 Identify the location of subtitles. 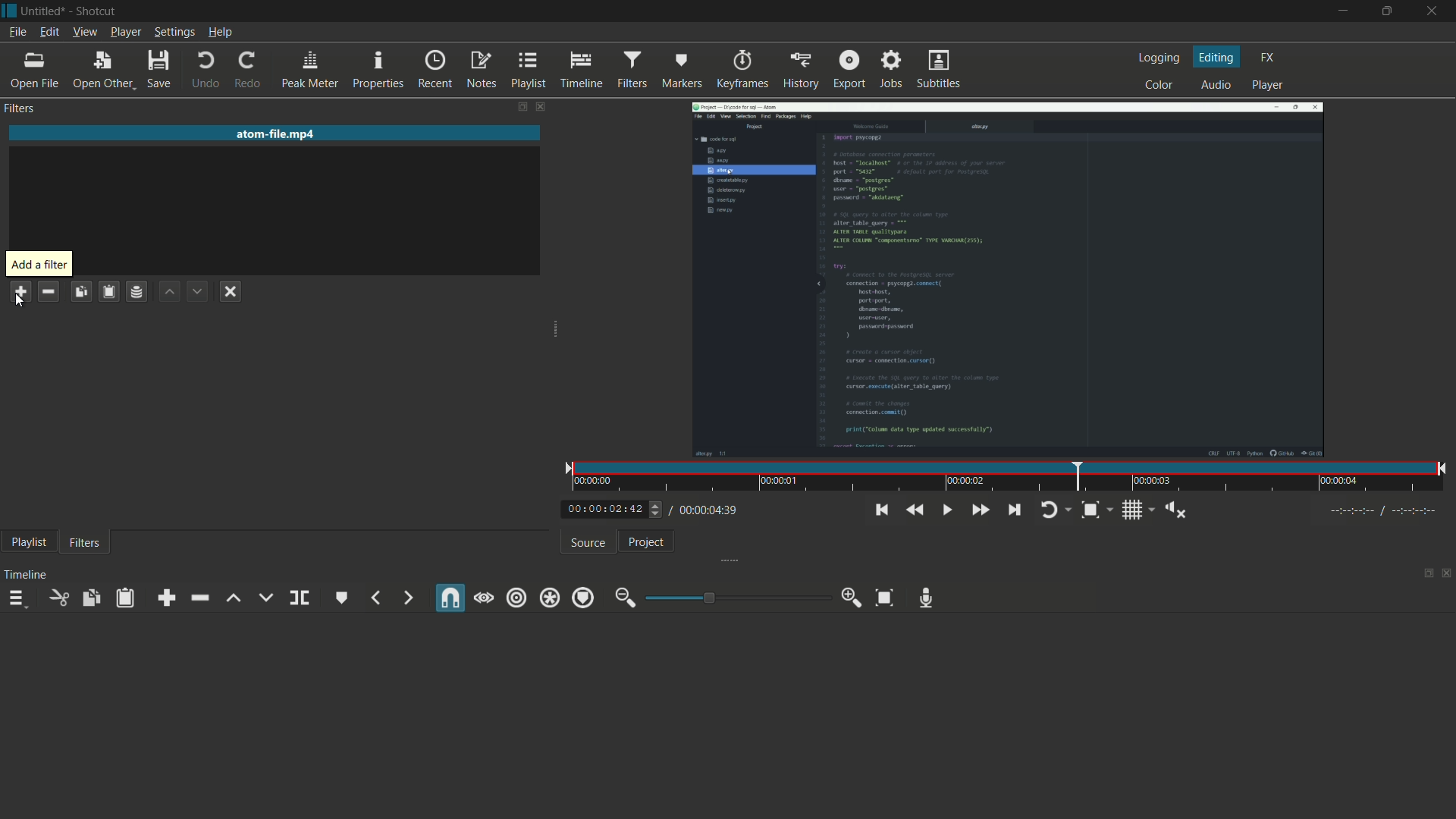
(938, 69).